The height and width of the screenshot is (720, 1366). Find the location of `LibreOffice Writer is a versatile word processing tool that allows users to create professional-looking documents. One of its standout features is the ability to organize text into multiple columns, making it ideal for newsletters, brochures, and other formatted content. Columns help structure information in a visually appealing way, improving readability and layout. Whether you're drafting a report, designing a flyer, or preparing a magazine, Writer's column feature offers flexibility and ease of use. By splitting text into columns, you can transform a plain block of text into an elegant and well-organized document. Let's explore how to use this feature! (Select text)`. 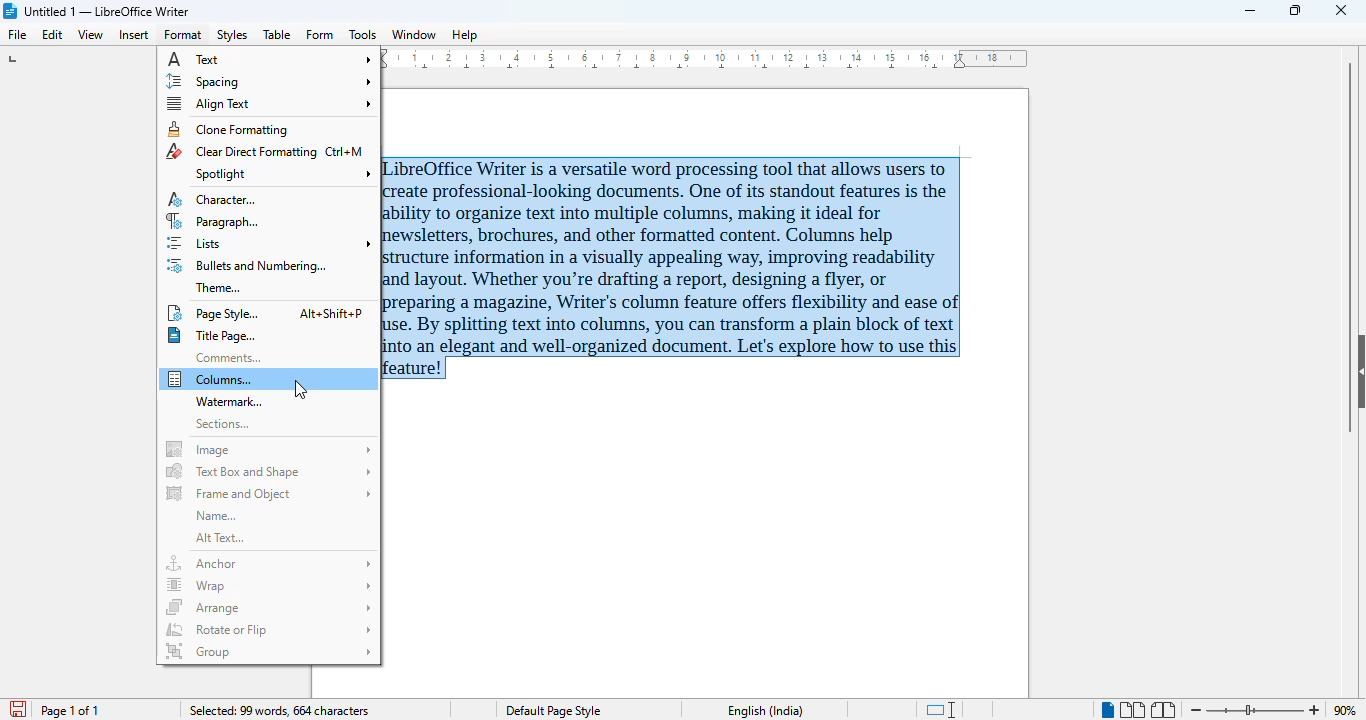

LibreOffice Writer is a versatile word processing tool that allows users to create professional-looking documents. One of its standout features is the ability to organize text into multiple columns, making it ideal for newsletters, brochures, and other formatted content. Columns help structure information in a visually appealing way, improving readability and layout. Whether you're drafting a report, designing a flyer, or preparing a magazine, Writer's column feature offers flexibility and ease of use. By splitting text into columns, you can transform a plain block of text into an elegant and well-organized document. Let's explore how to use this feature! (Select text) is located at coordinates (683, 268).